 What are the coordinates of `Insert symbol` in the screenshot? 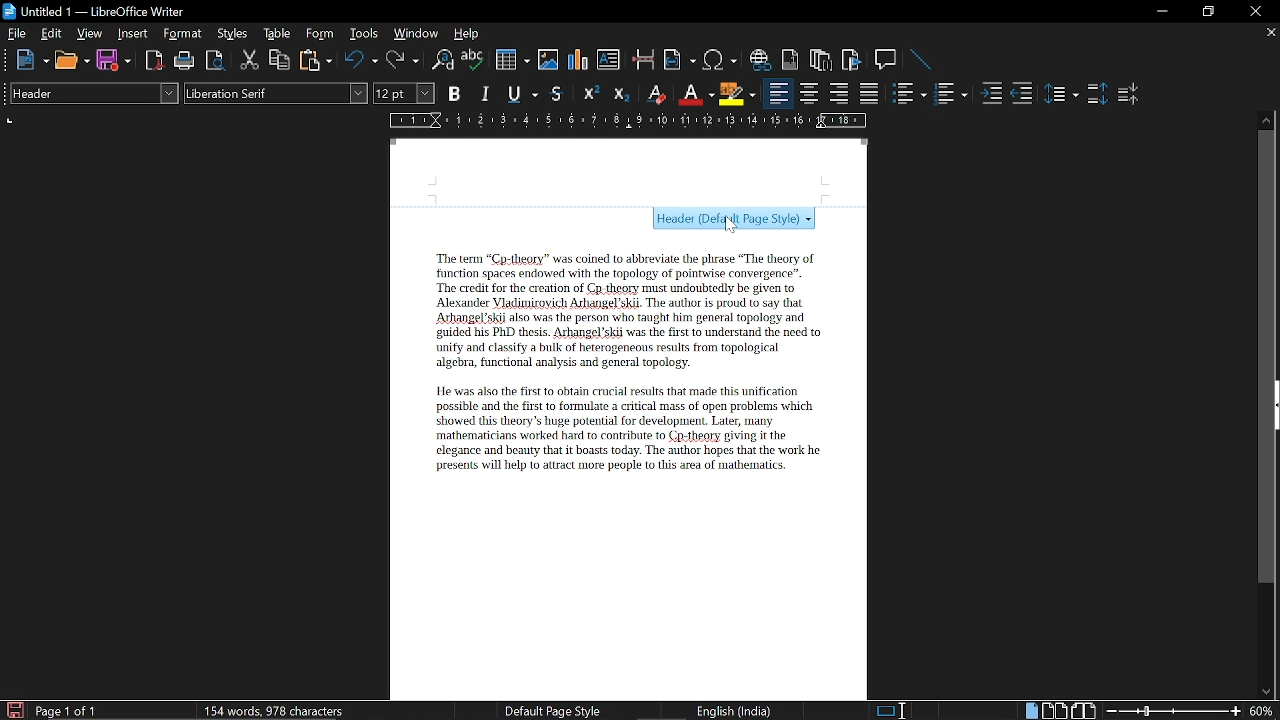 It's located at (722, 60).